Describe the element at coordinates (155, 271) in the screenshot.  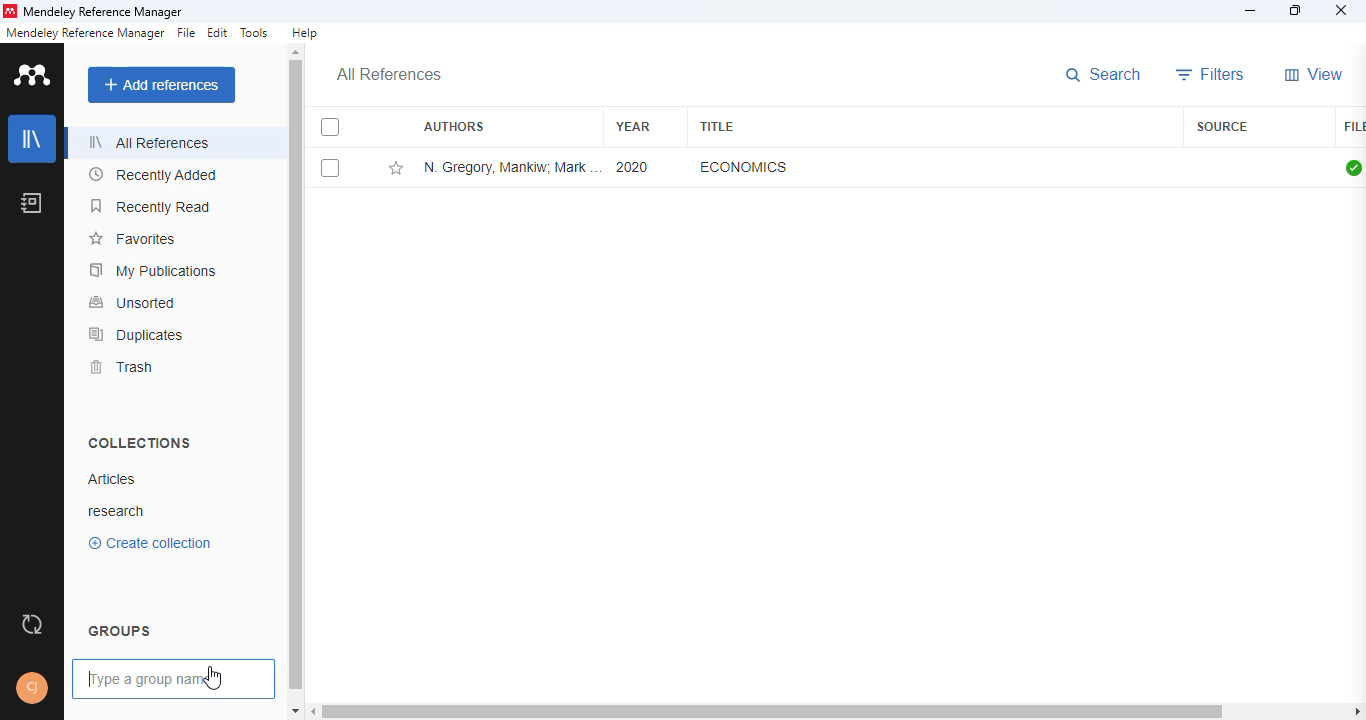
I see `my publications` at that location.